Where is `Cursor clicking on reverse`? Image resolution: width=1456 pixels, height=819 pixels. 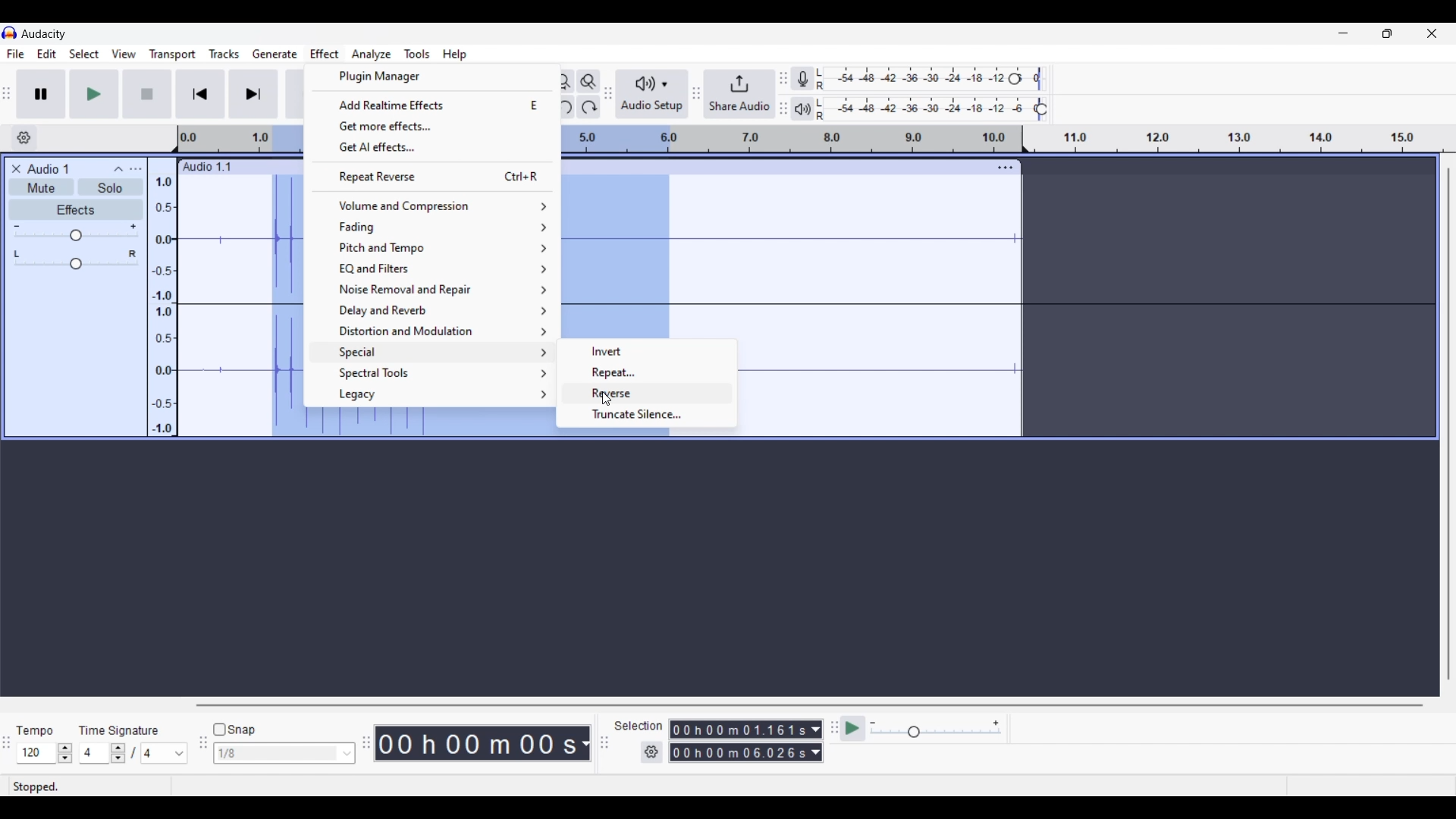
Cursor clicking on reverse is located at coordinates (606, 400).